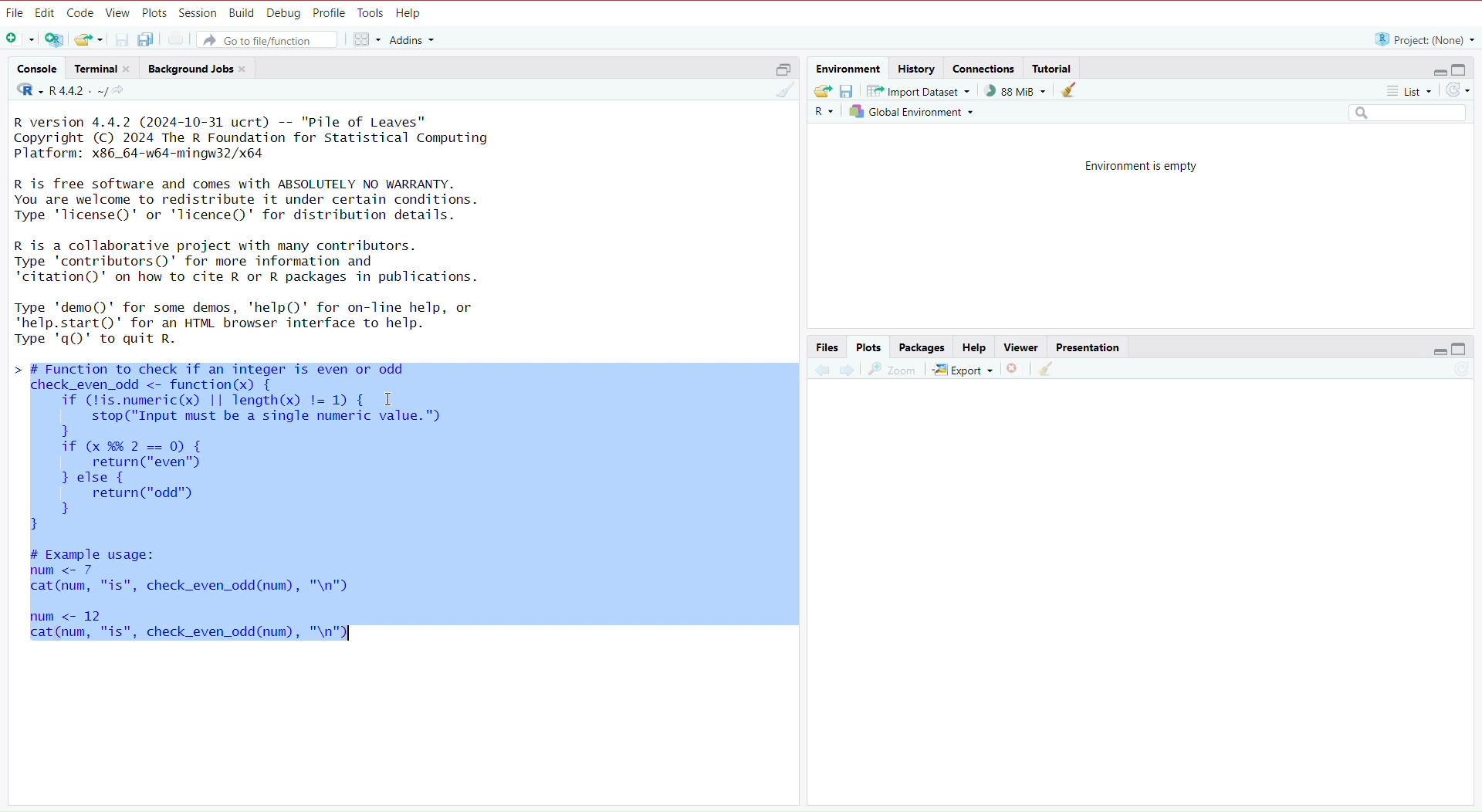 The height and width of the screenshot is (812, 1482). I want to click on terminal, so click(106, 69).